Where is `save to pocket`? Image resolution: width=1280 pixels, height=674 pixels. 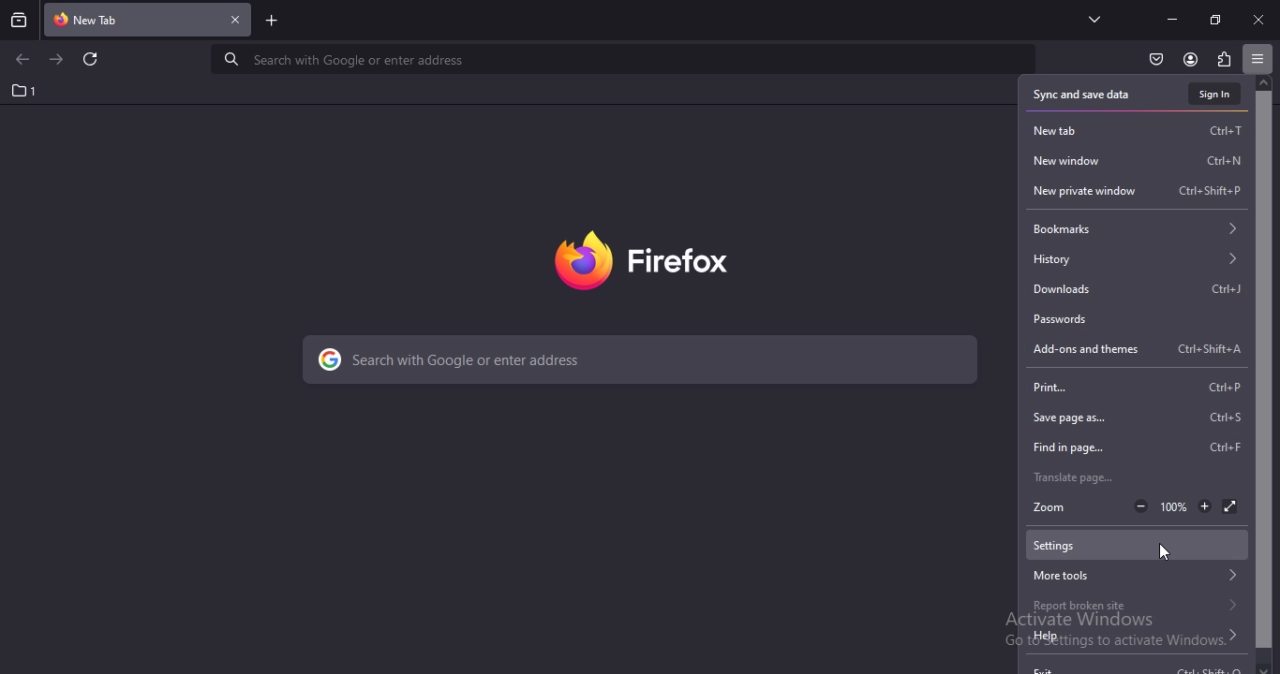
save to pocket is located at coordinates (1154, 60).